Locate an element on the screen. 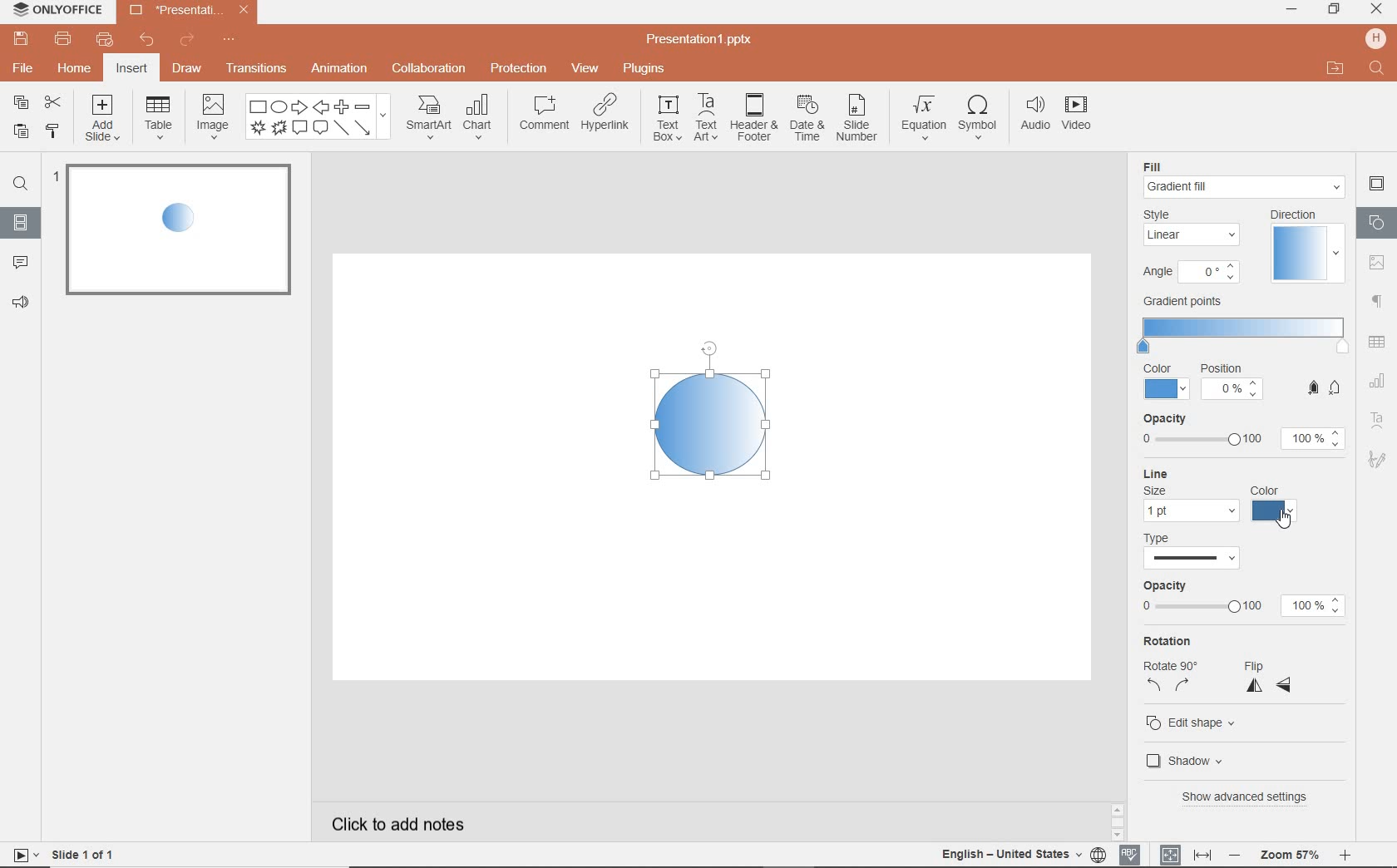  symbol is located at coordinates (977, 118).